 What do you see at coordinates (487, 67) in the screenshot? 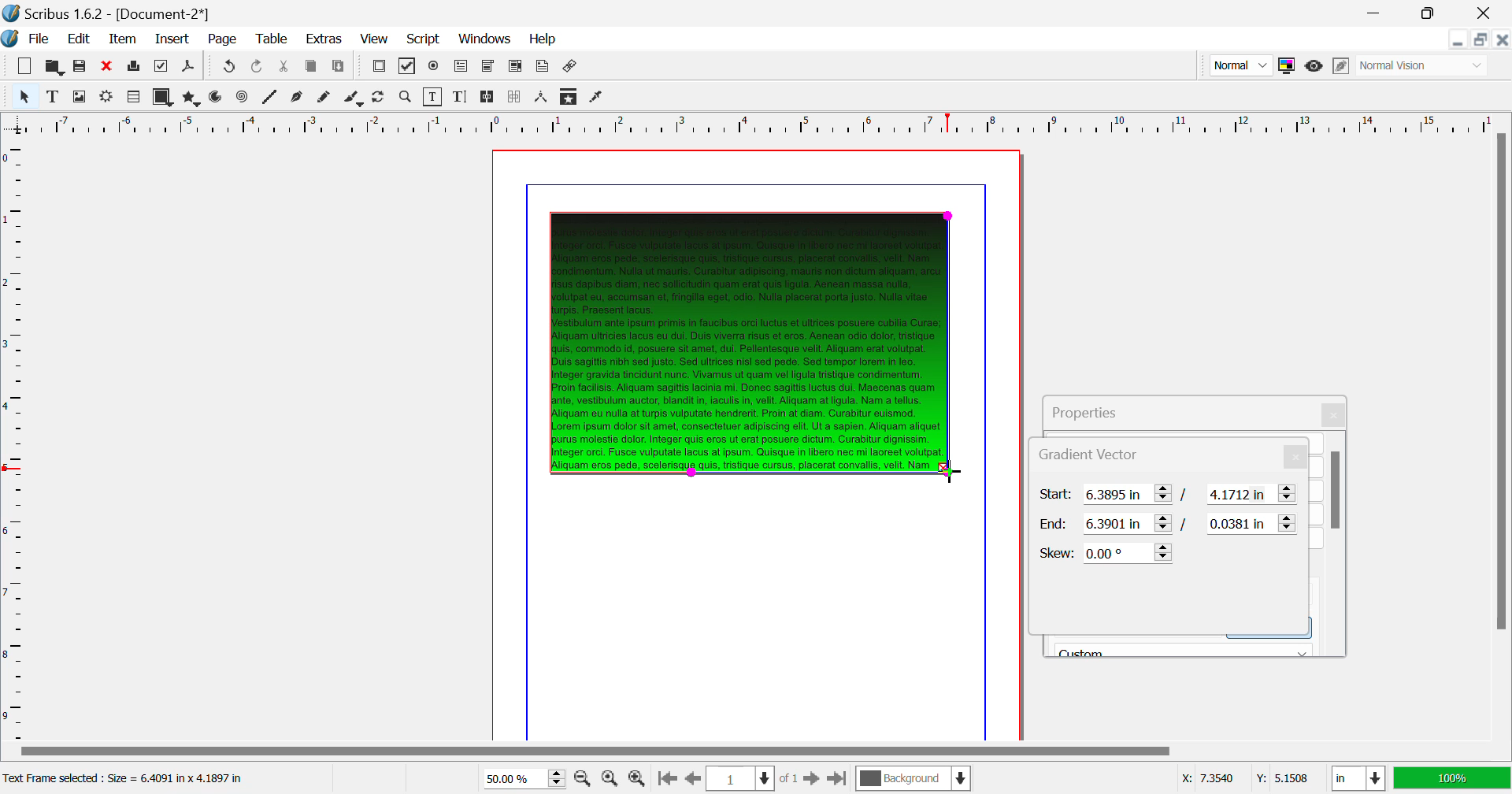
I see `Pdf Combo Box` at bounding box center [487, 67].